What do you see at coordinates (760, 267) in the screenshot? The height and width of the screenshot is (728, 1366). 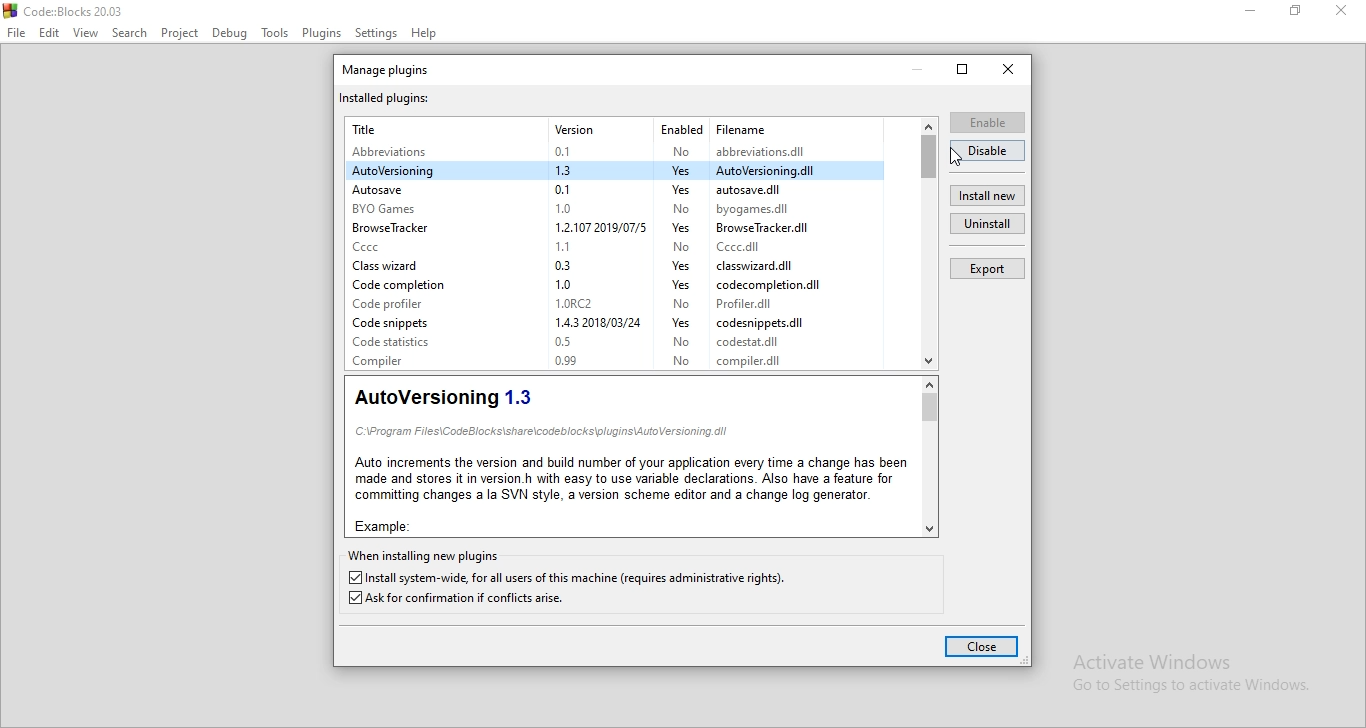 I see `classwizard.dil` at bounding box center [760, 267].